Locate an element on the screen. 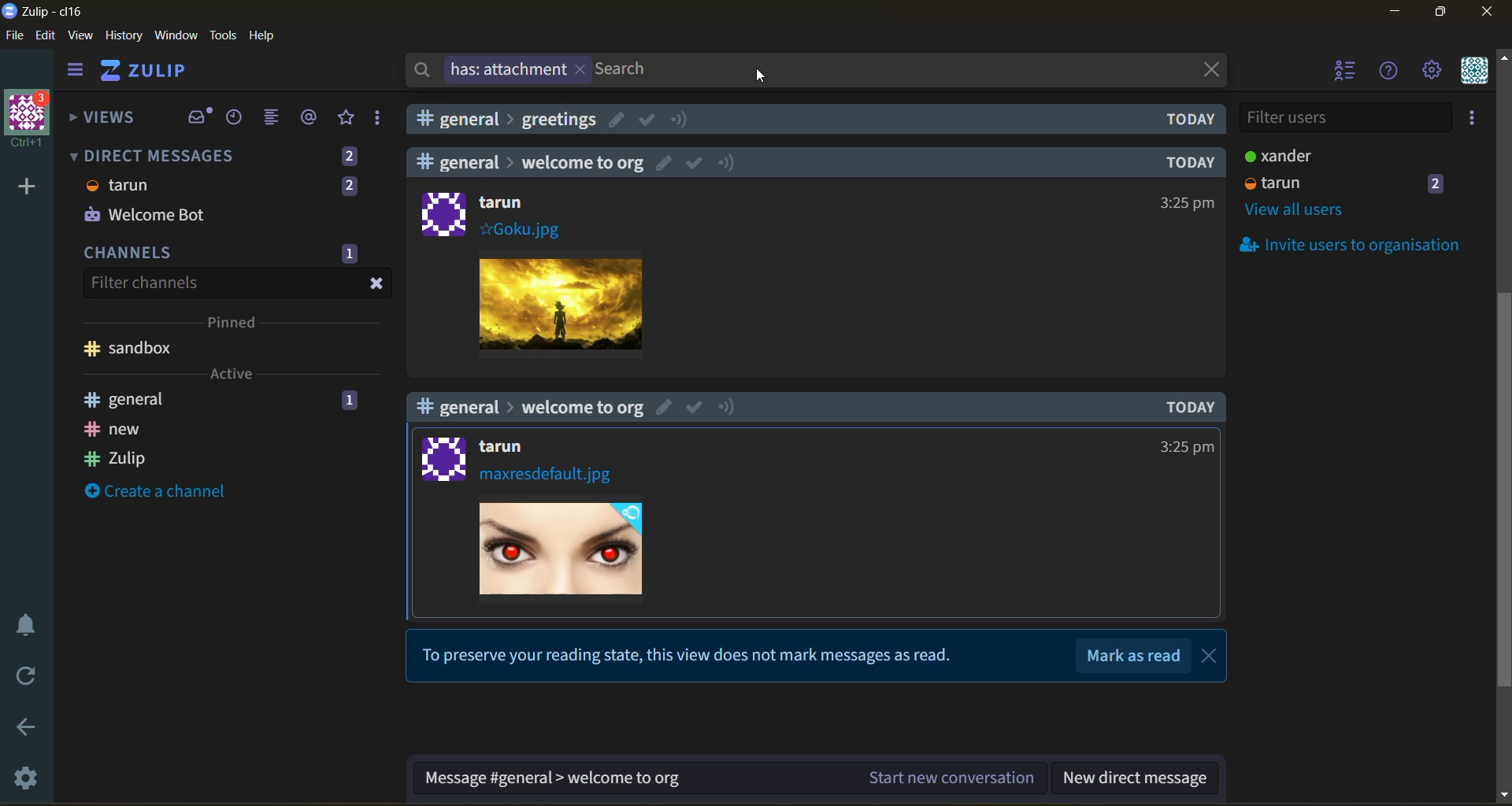  invite users to organisation is located at coordinates (1473, 117).